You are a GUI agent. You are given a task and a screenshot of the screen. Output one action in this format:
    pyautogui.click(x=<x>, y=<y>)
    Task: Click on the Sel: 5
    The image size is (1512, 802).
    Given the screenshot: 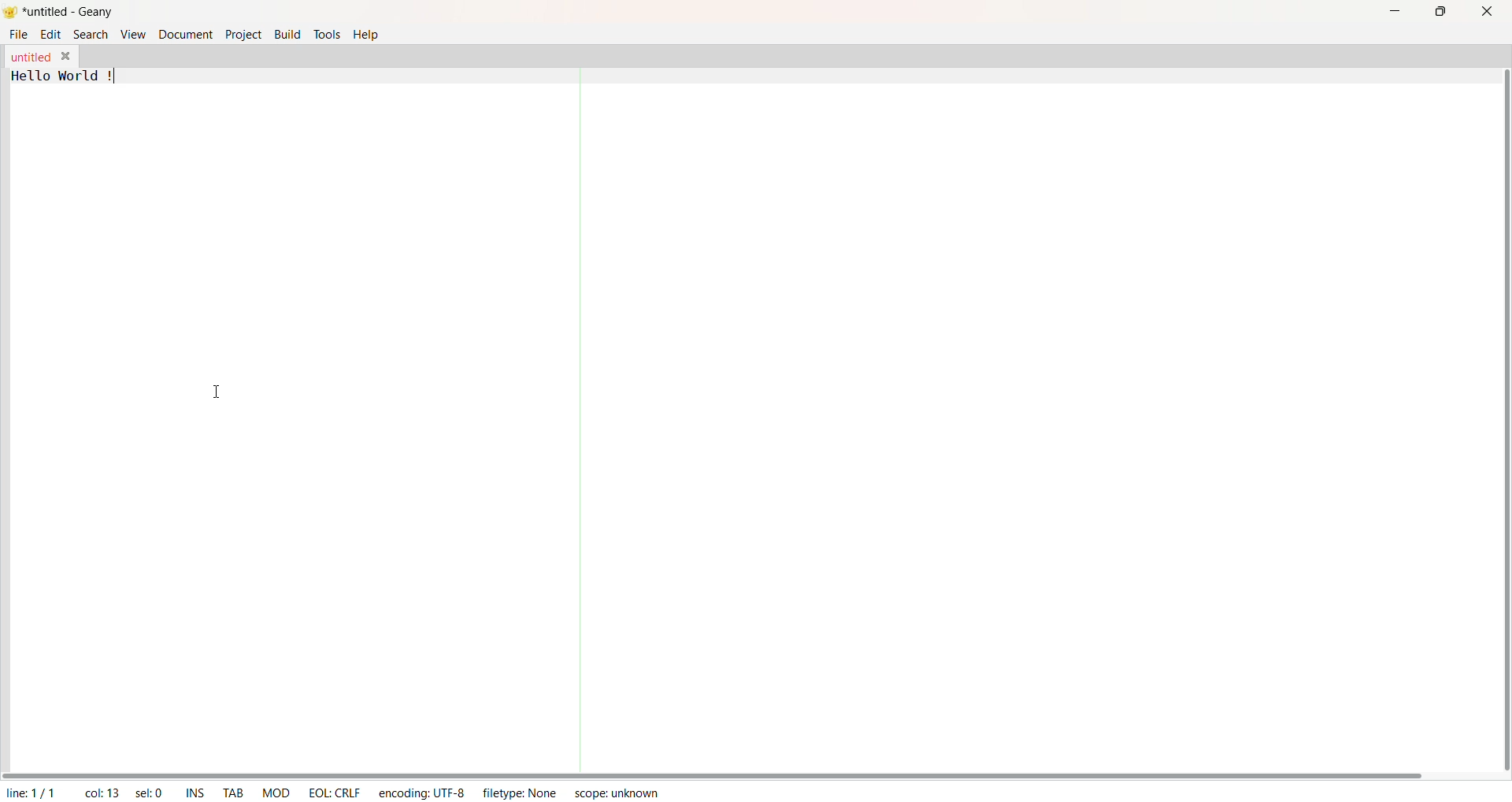 What is the action you would take?
    pyautogui.click(x=148, y=792)
    